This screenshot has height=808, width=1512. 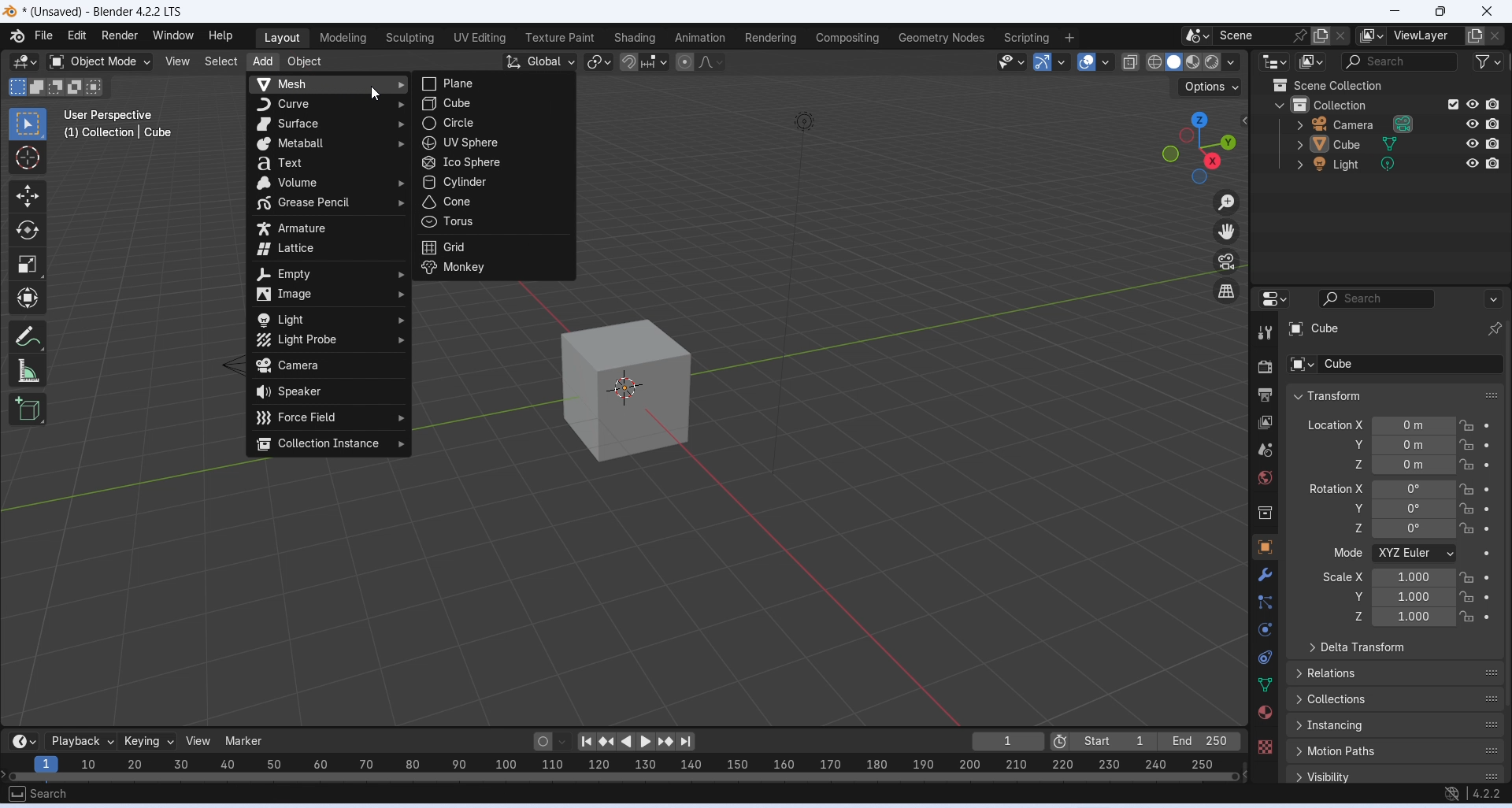 I want to click on cylinder, so click(x=492, y=182).